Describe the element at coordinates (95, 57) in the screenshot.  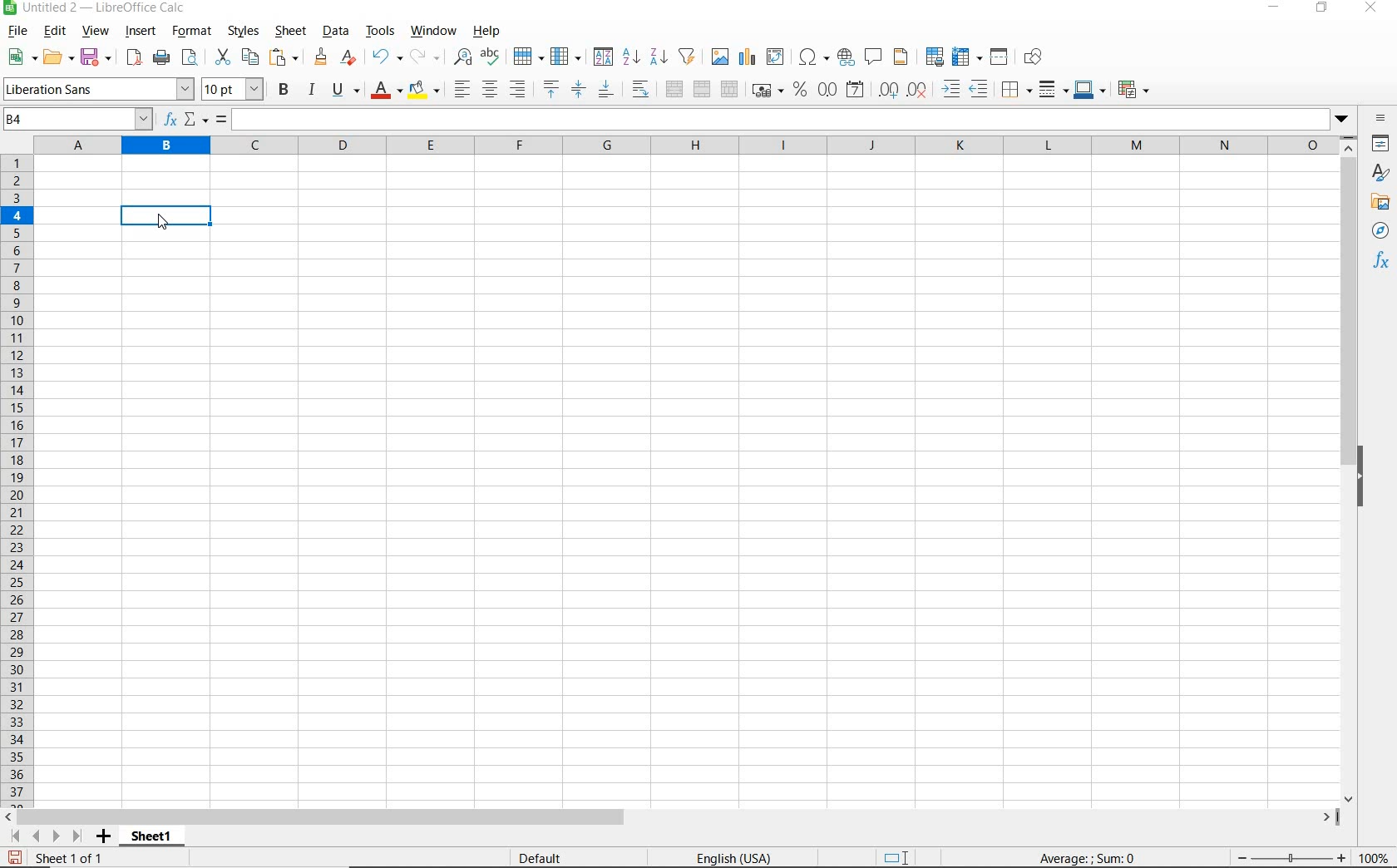
I see `save` at that location.